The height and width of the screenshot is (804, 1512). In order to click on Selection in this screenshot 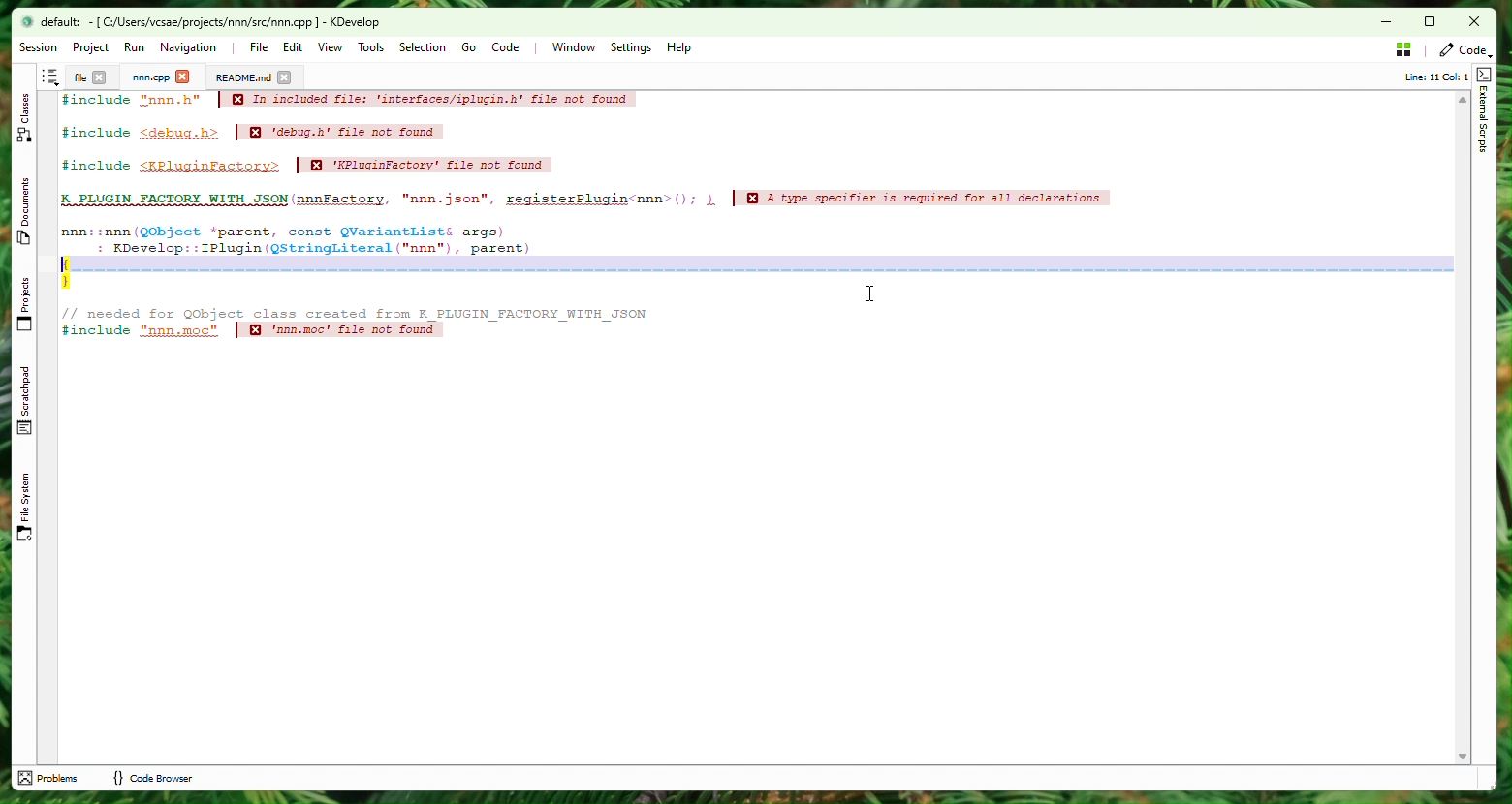, I will do `click(423, 46)`.